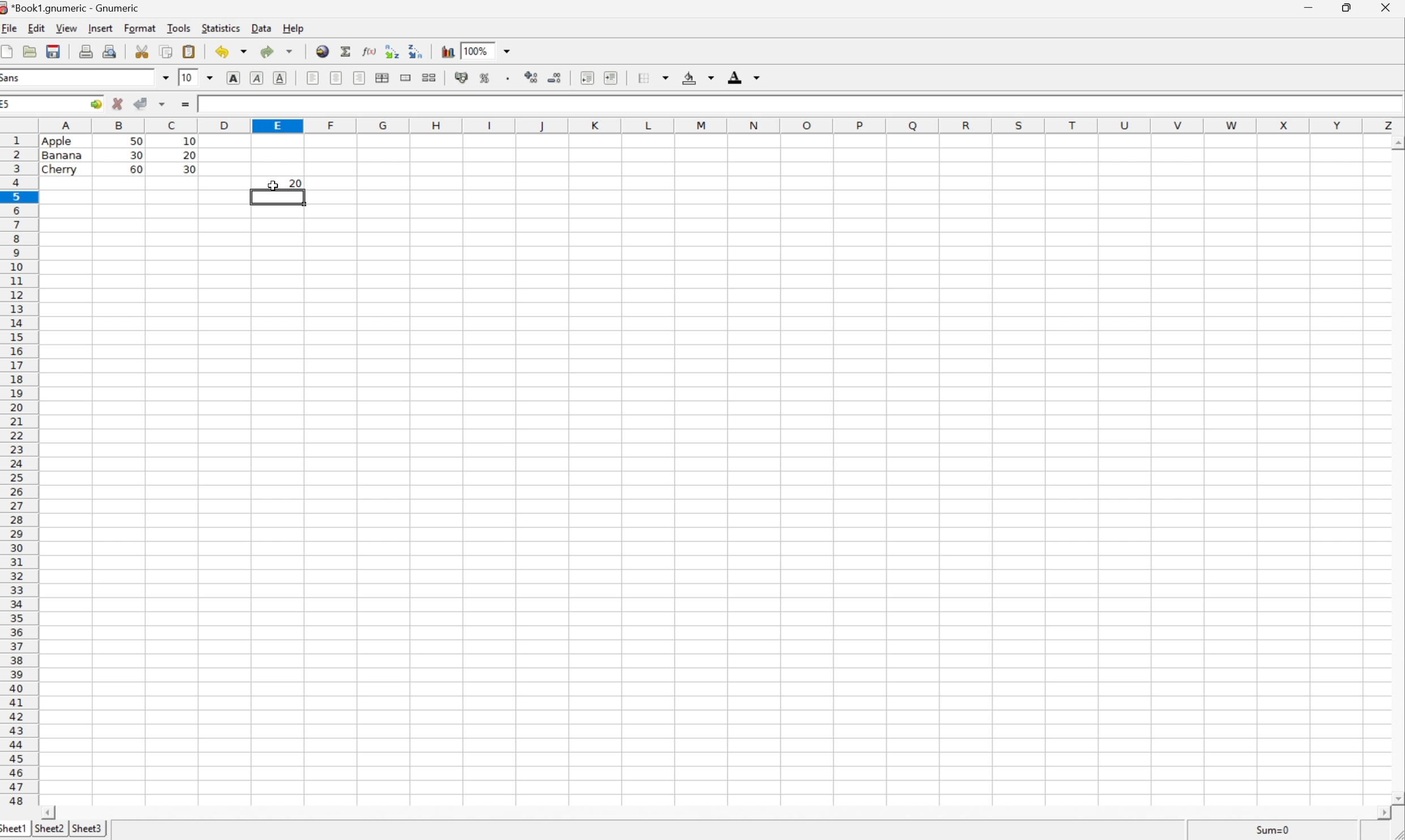 The height and width of the screenshot is (840, 1405). Describe the element at coordinates (36, 28) in the screenshot. I see `edit` at that location.